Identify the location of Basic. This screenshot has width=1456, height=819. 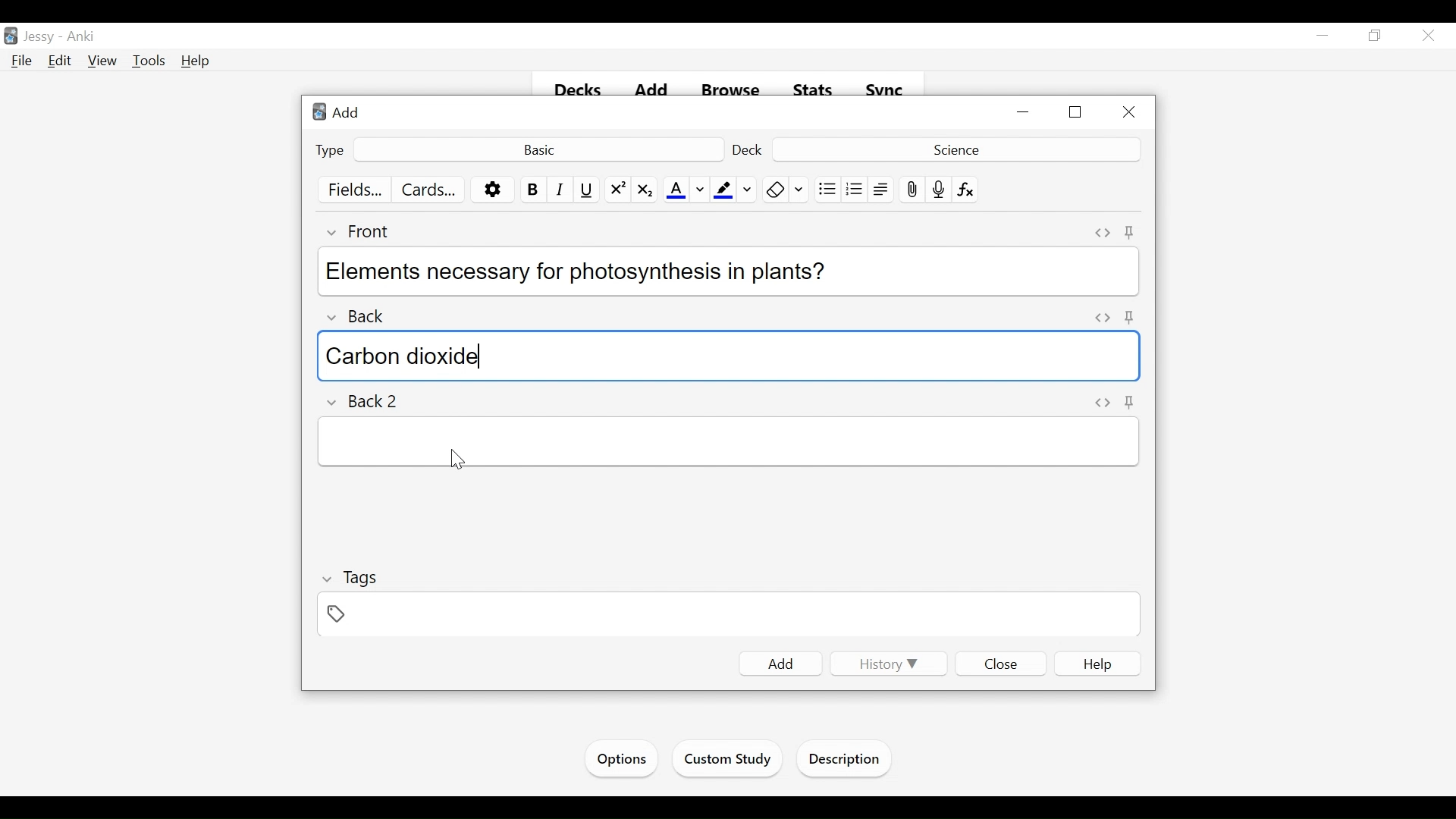
(538, 149).